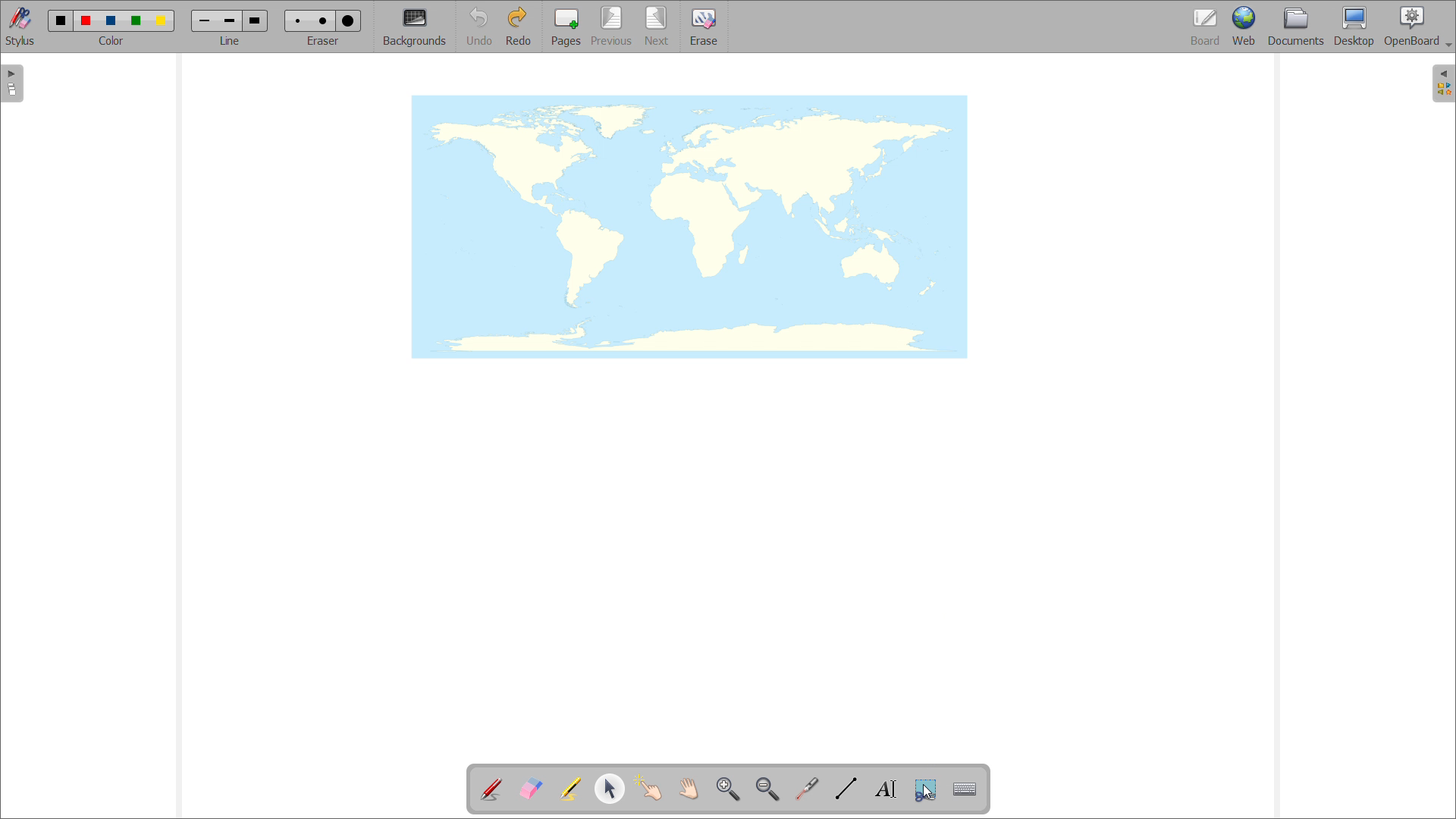 The image size is (1456, 819). I want to click on virtual keyboard, so click(965, 789).